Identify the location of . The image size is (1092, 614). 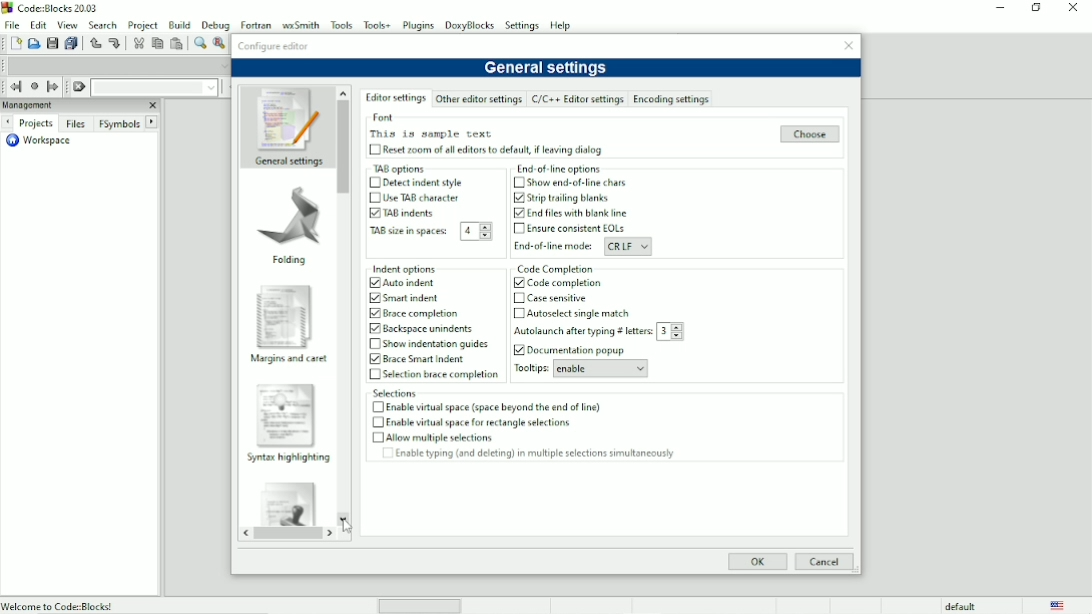
(518, 350).